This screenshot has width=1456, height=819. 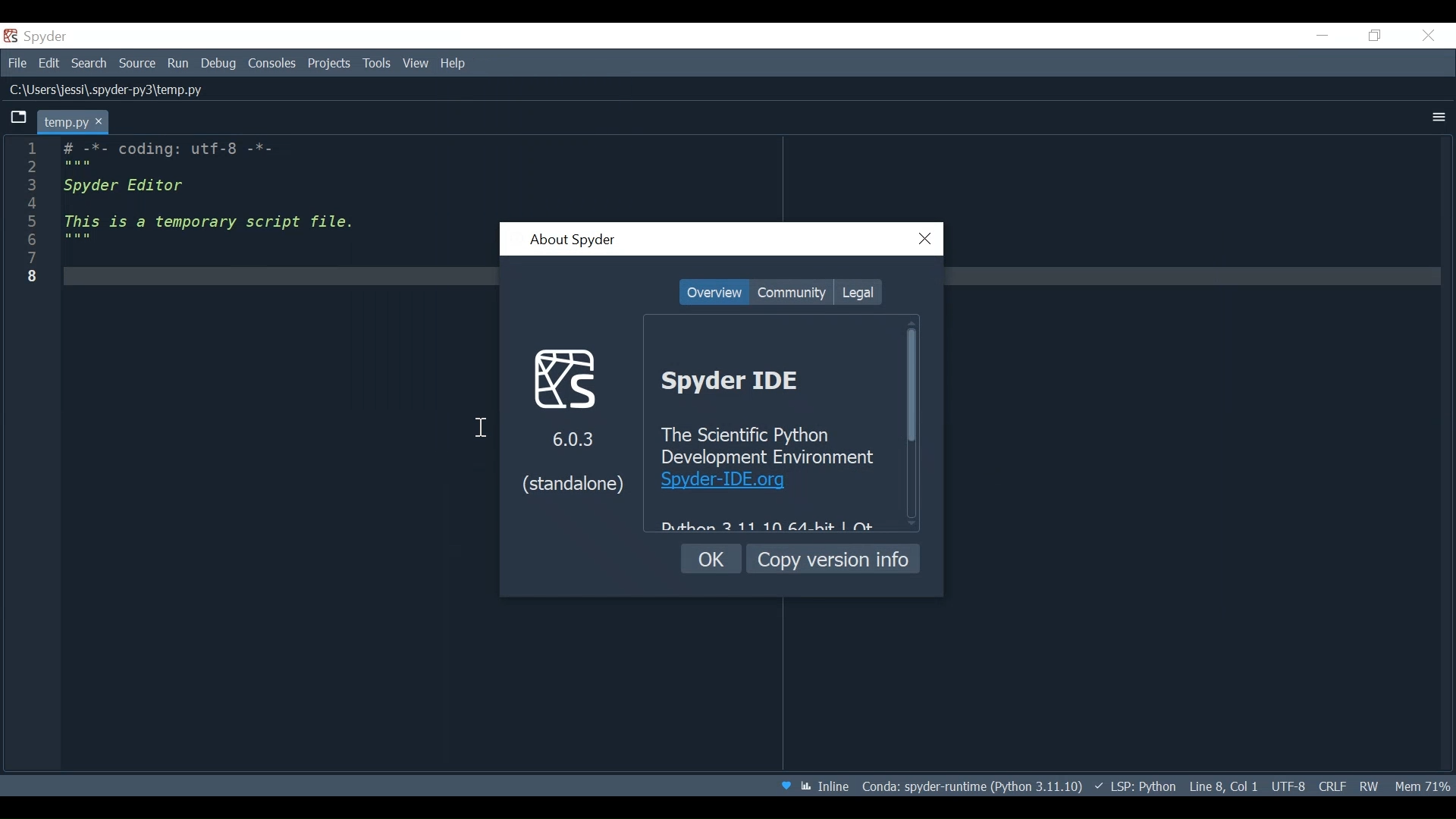 What do you see at coordinates (179, 65) in the screenshot?
I see `Run` at bounding box center [179, 65].